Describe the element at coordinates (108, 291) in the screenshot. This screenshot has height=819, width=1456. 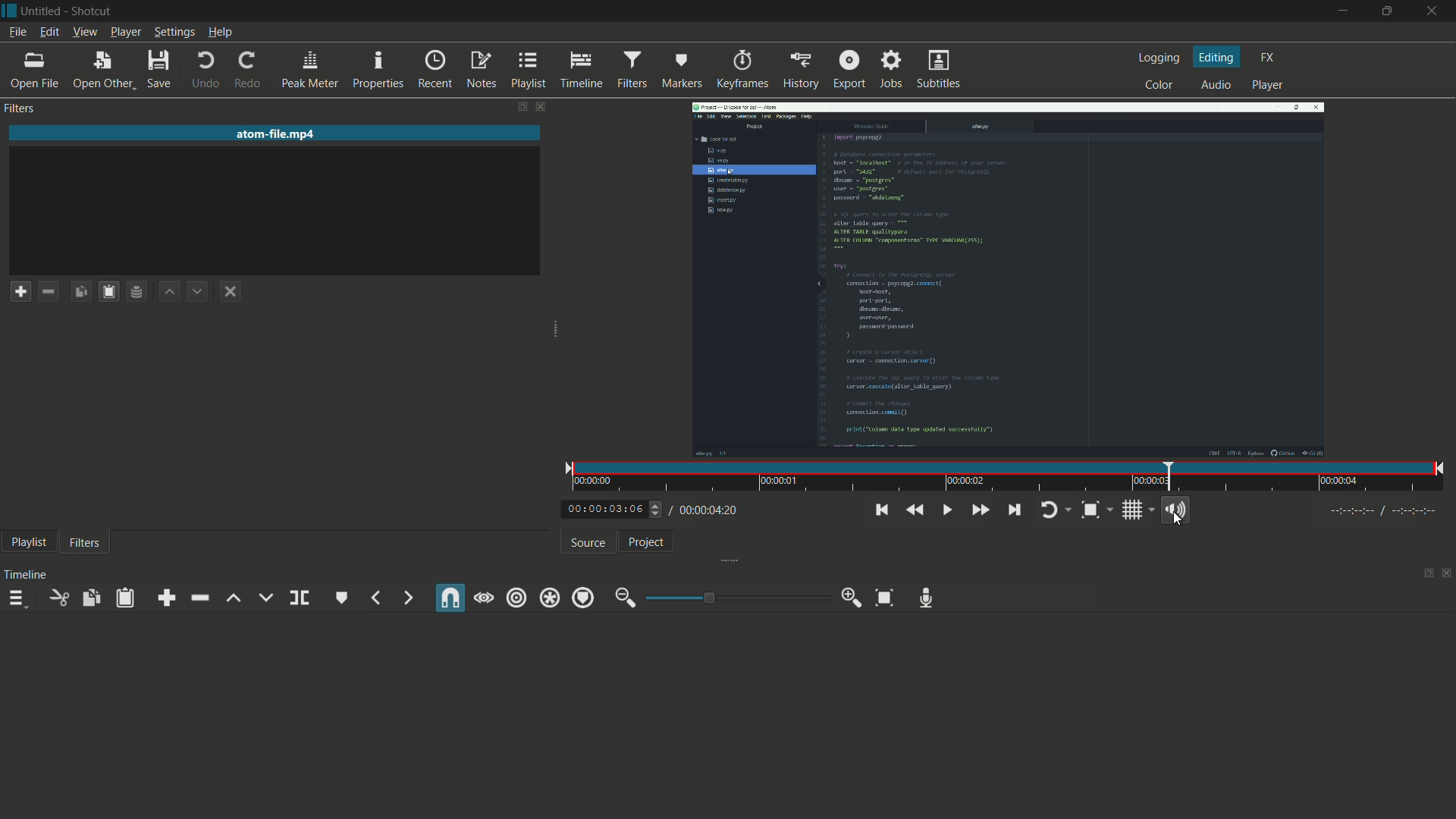
I see `paste filters` at that location.